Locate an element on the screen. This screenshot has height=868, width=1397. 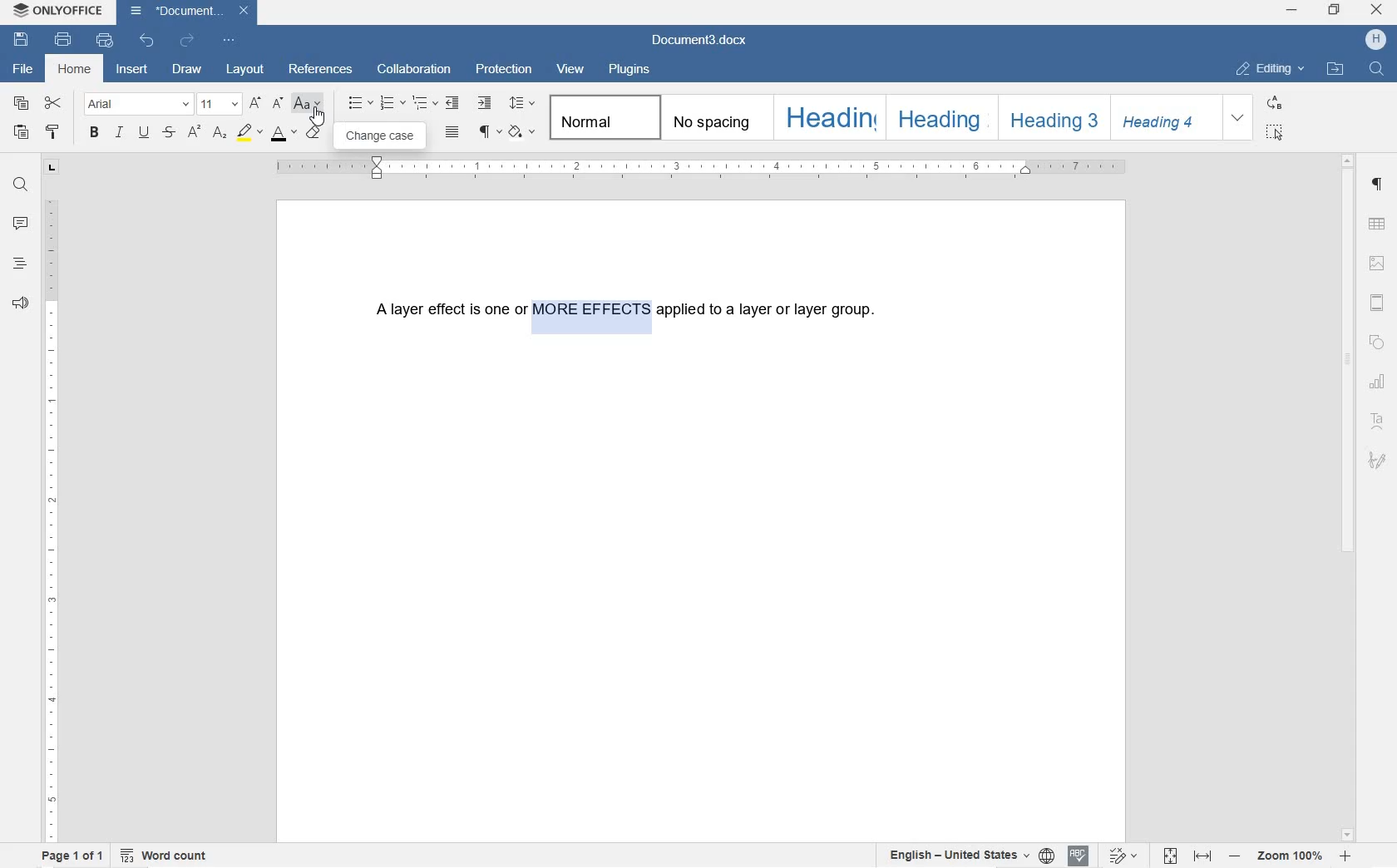
document3.docx is located at coordinates (703, 41).